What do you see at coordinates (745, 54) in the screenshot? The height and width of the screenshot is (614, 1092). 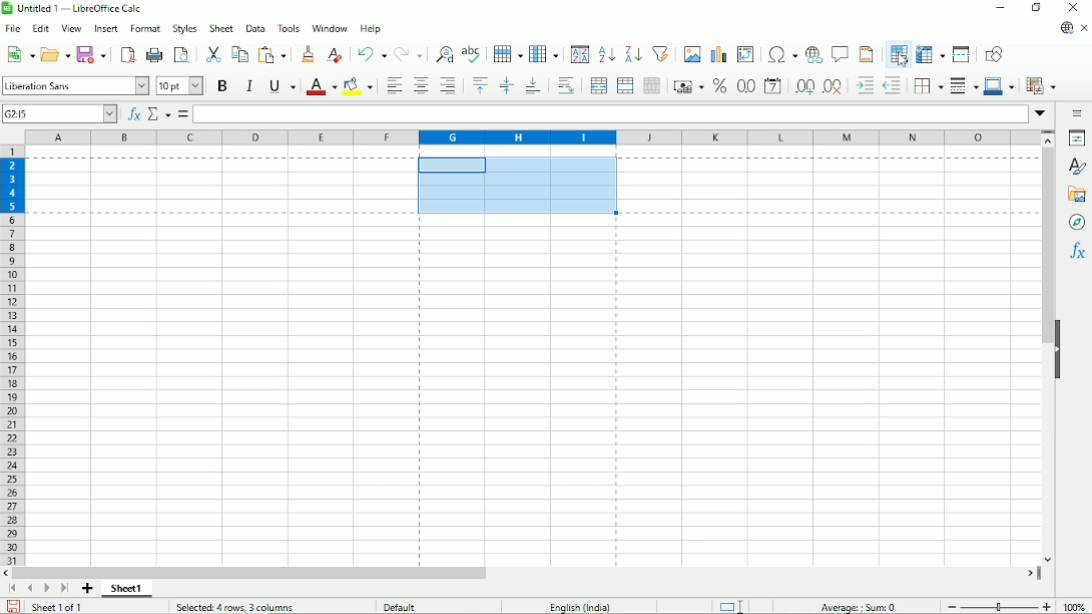 I see `Insert or edit pivot table` at bounding box center [745, 54].